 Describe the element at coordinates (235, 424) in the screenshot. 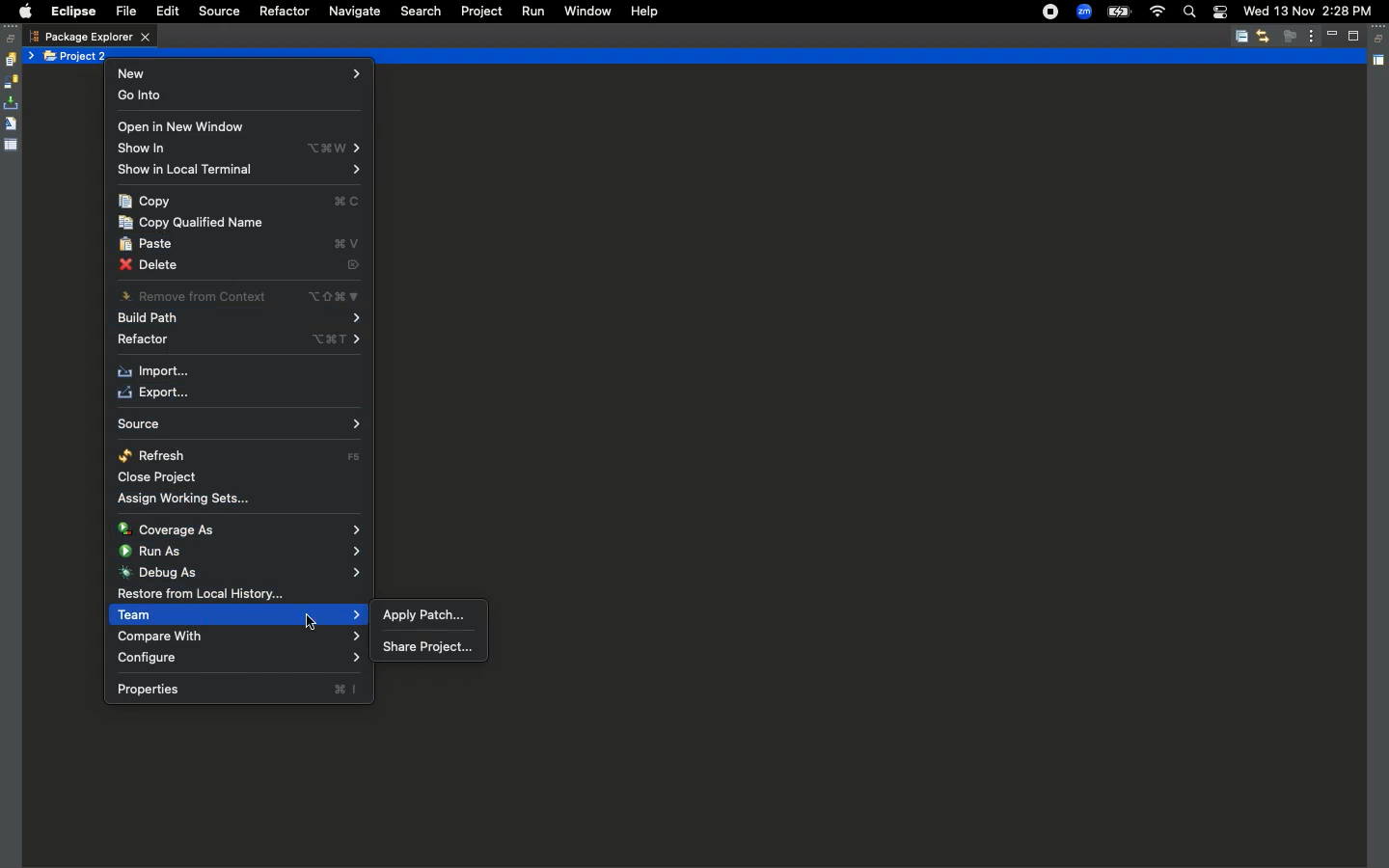

I see `Source` at that location.